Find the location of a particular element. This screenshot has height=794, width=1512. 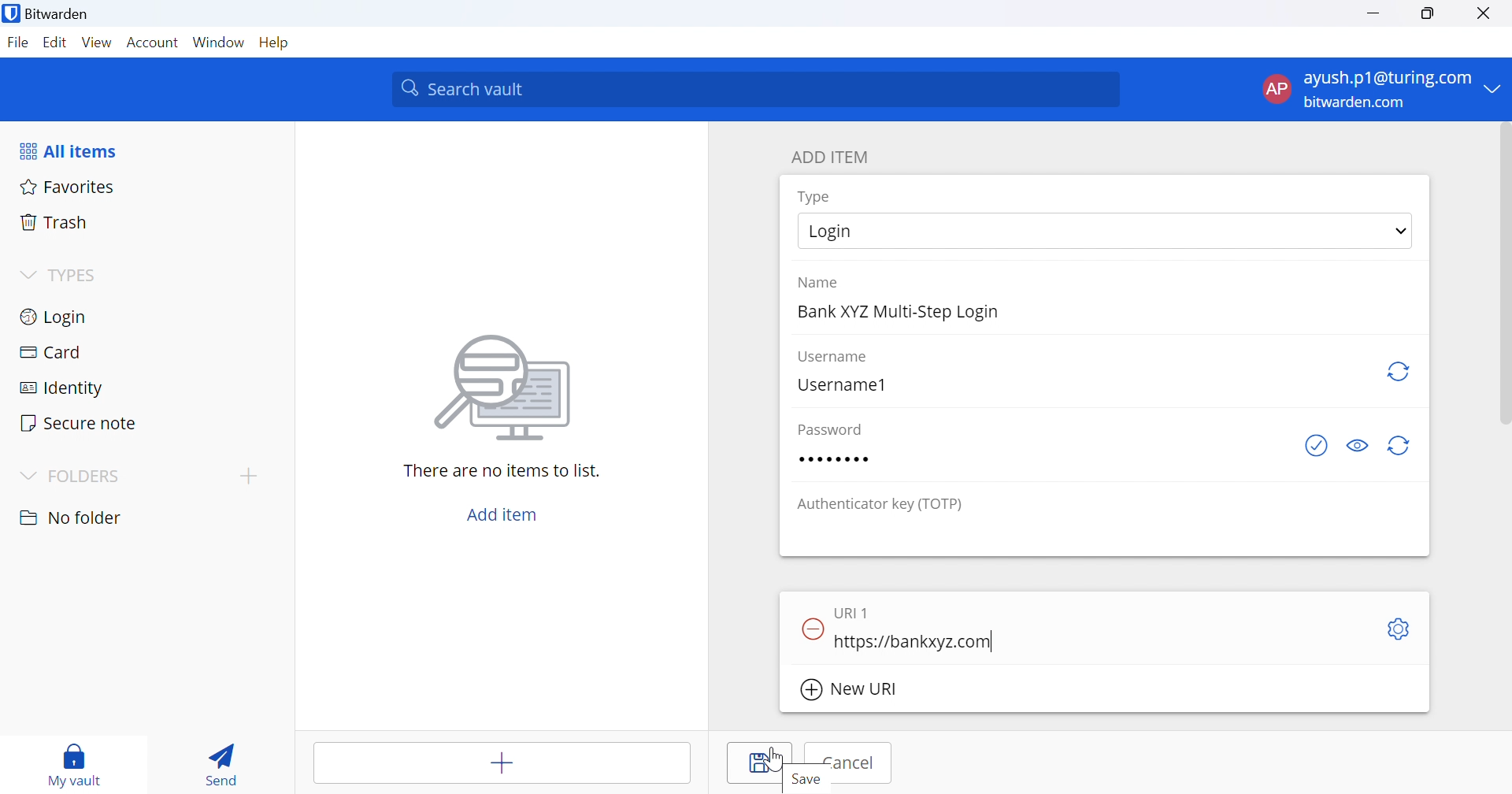

my vault is located at coordinates (79, 764).